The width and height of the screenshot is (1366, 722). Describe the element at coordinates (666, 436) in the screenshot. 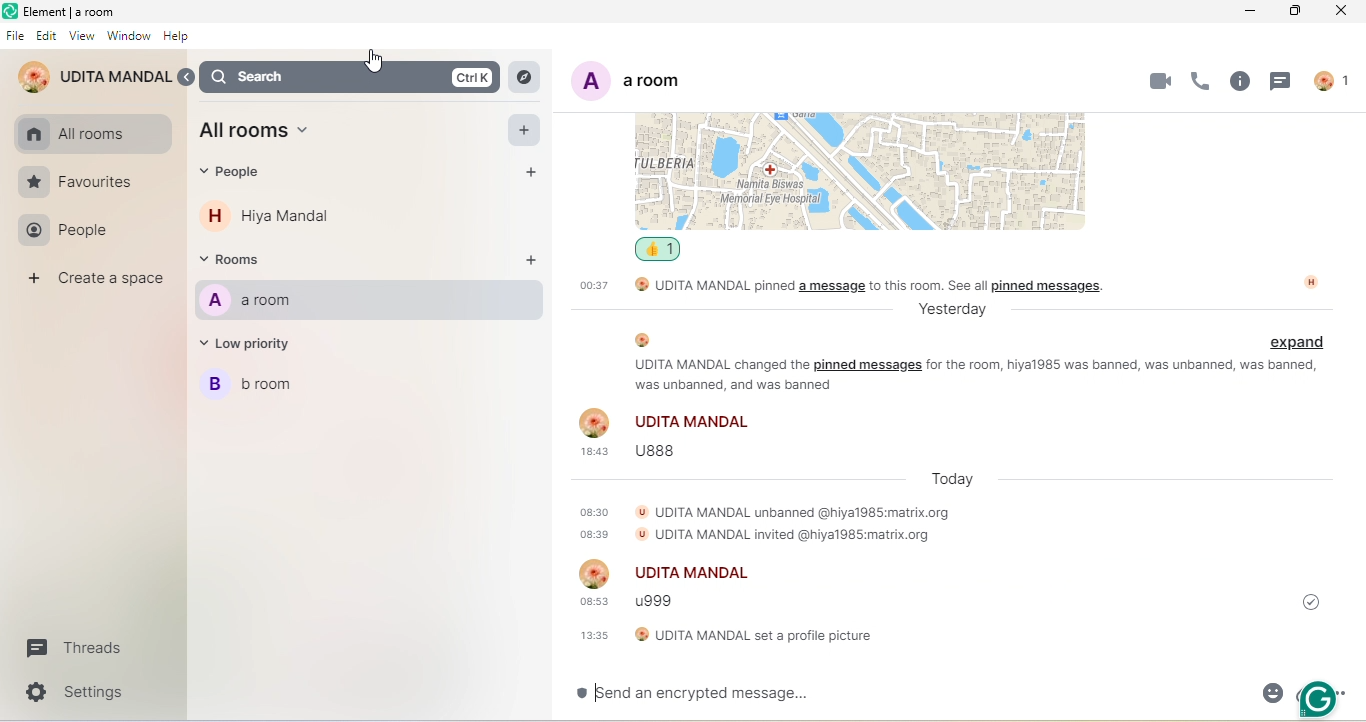

I see `Udita Mandal18:43 UBBS` at that location.